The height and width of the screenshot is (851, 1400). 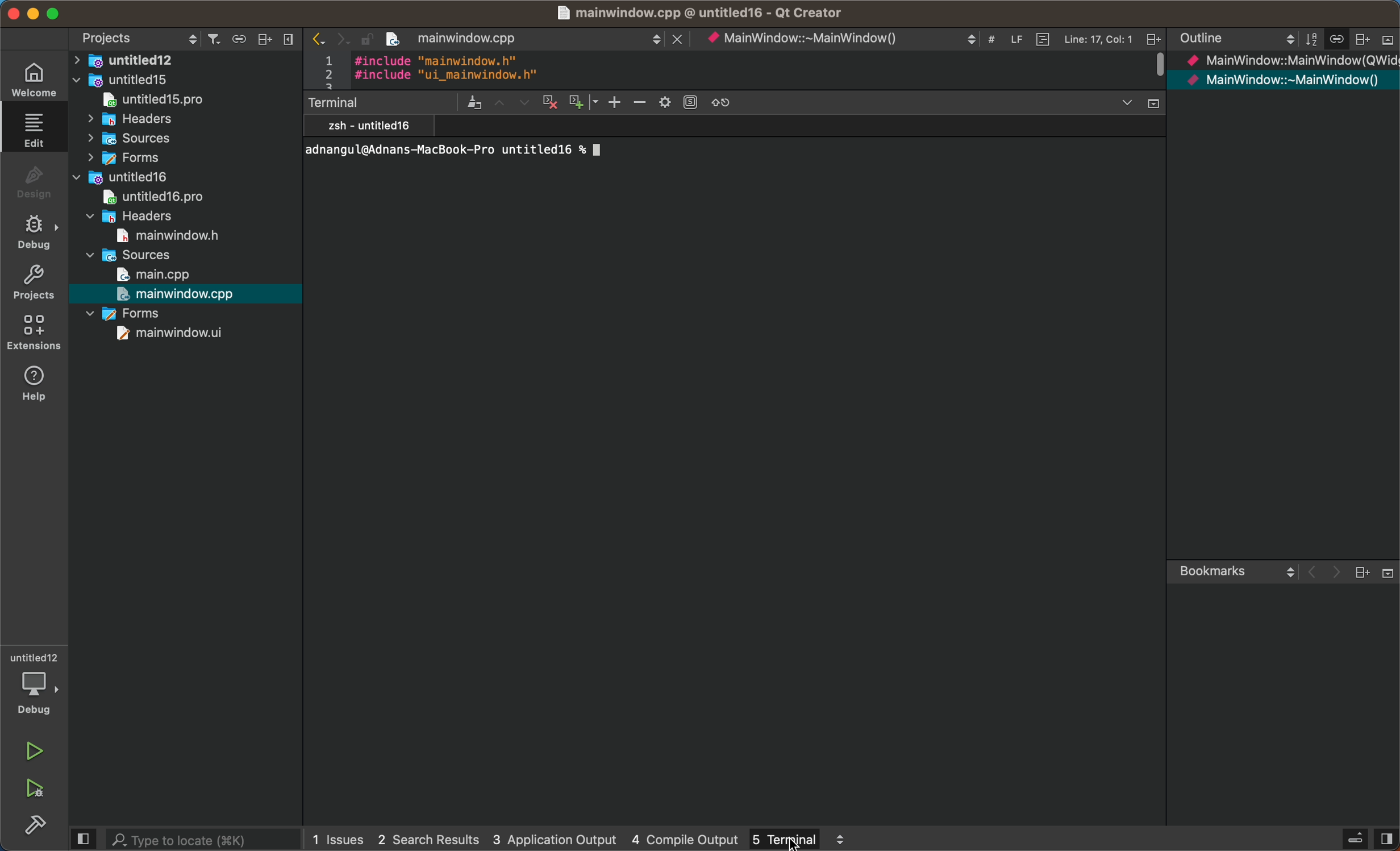 I want to click on file and folder, so click(x=182, y=158).